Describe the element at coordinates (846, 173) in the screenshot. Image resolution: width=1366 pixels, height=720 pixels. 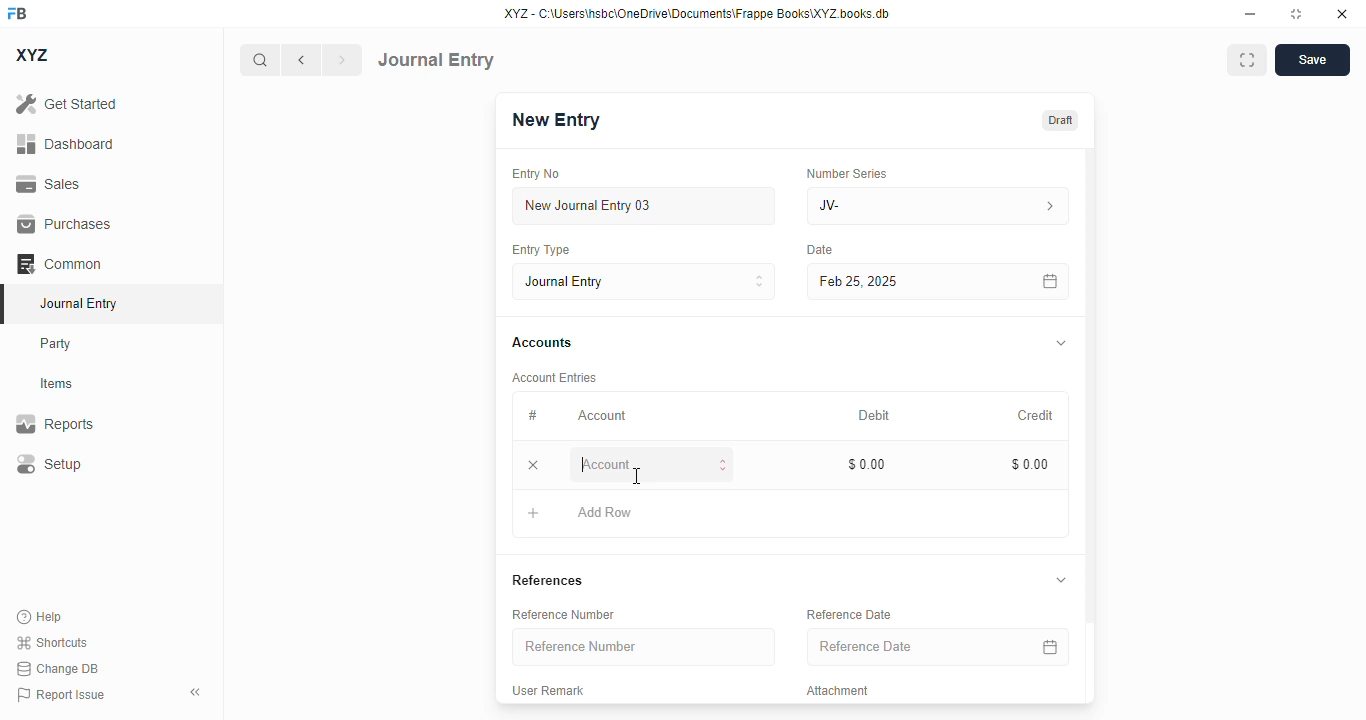
I see `number series` at that location.